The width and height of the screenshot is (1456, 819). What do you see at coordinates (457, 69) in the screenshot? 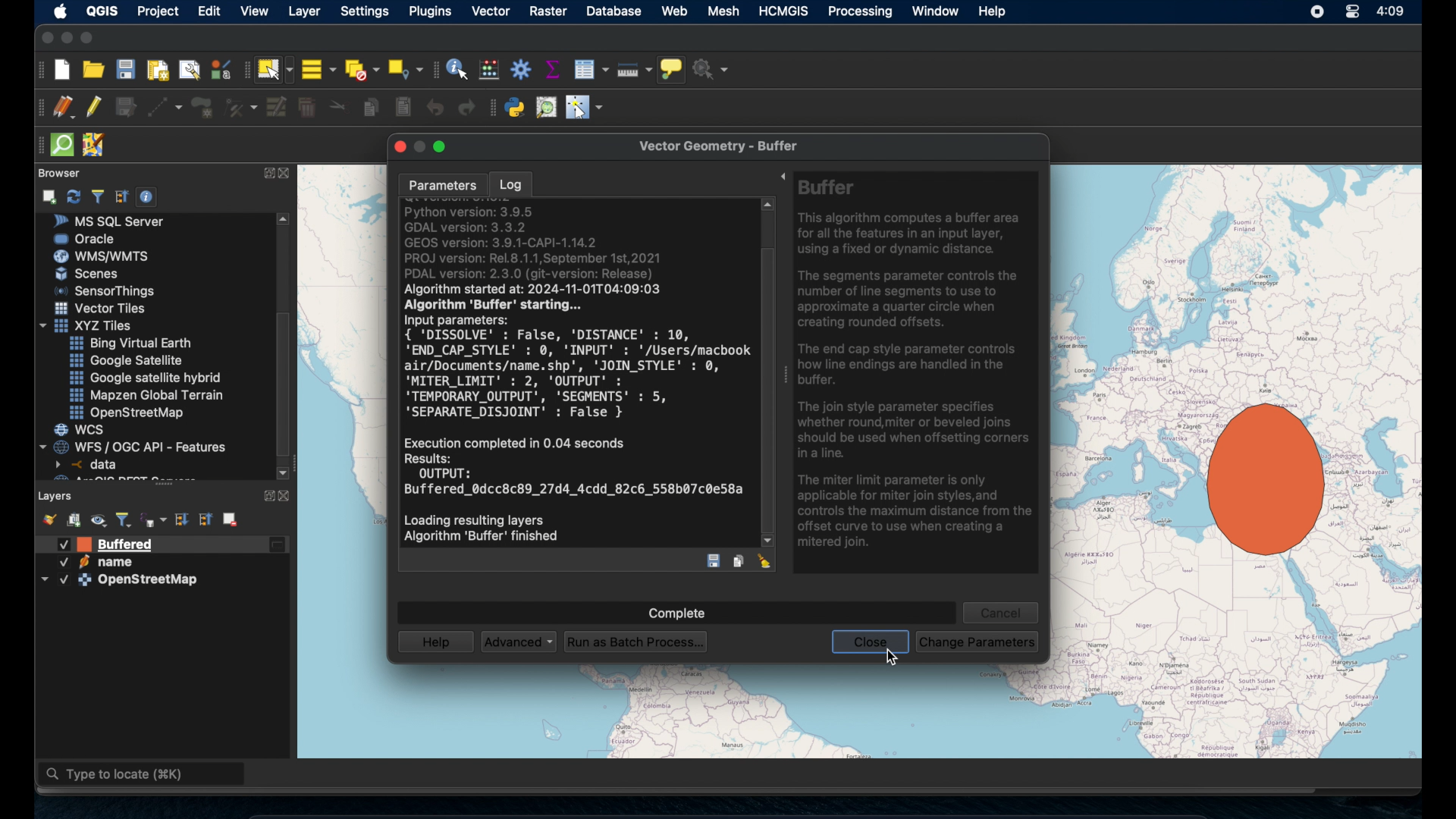
I see `identify features` at bounding box center [457, 69].